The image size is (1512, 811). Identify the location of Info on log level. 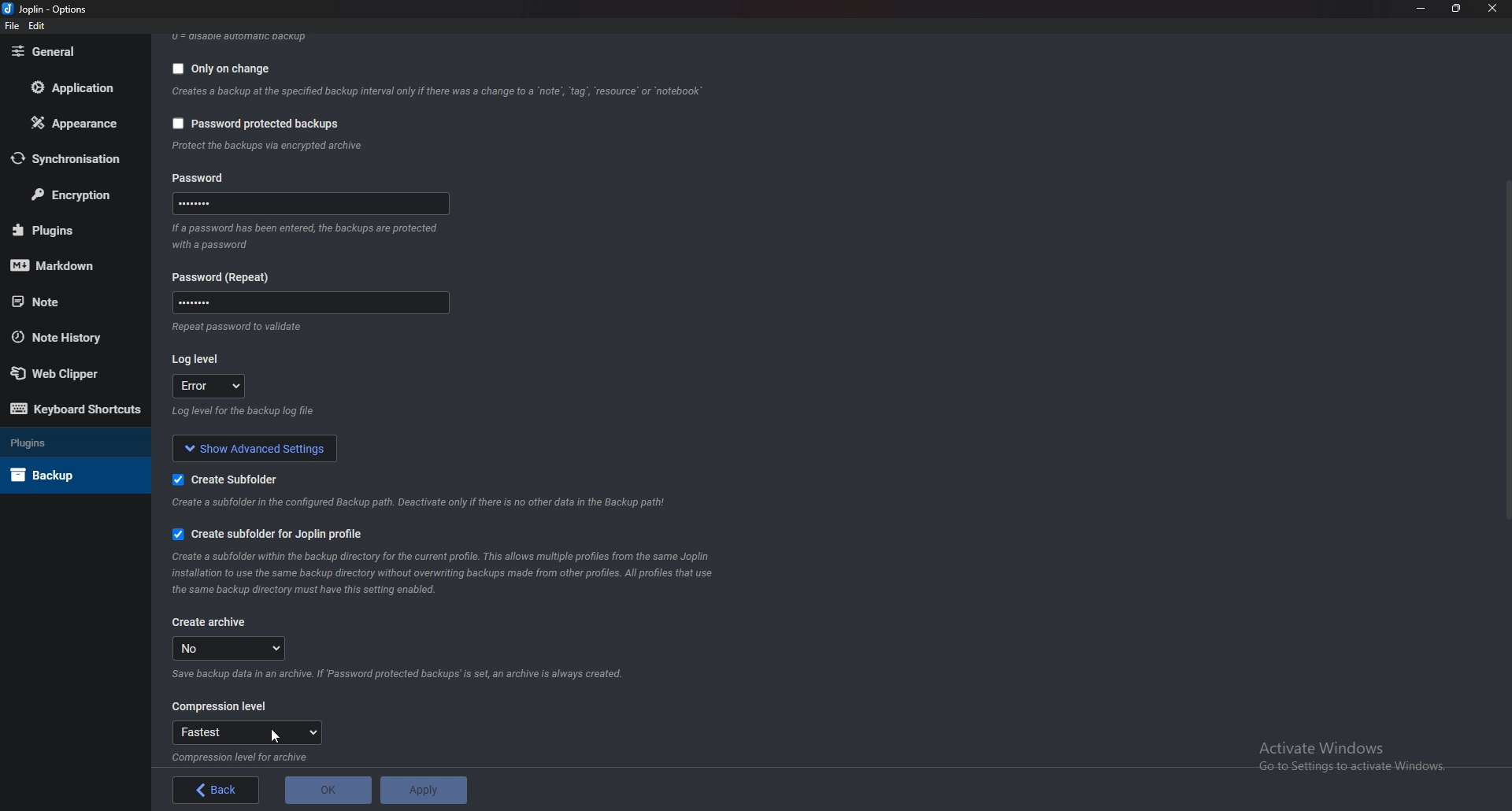
(242, 416).